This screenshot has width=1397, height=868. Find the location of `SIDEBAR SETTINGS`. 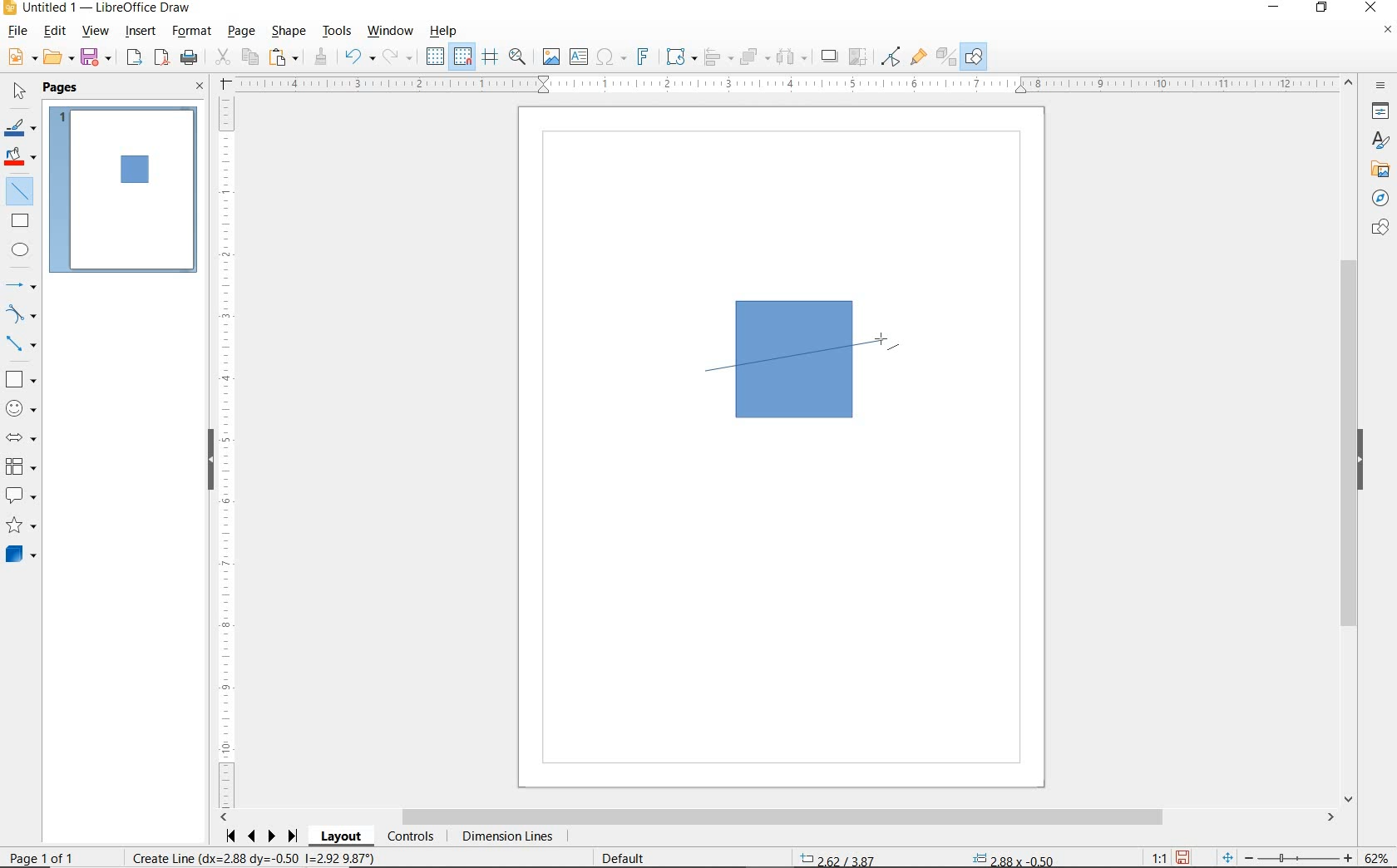

SIDEBAR SETTINGS is located at coordinates (1382, 86).